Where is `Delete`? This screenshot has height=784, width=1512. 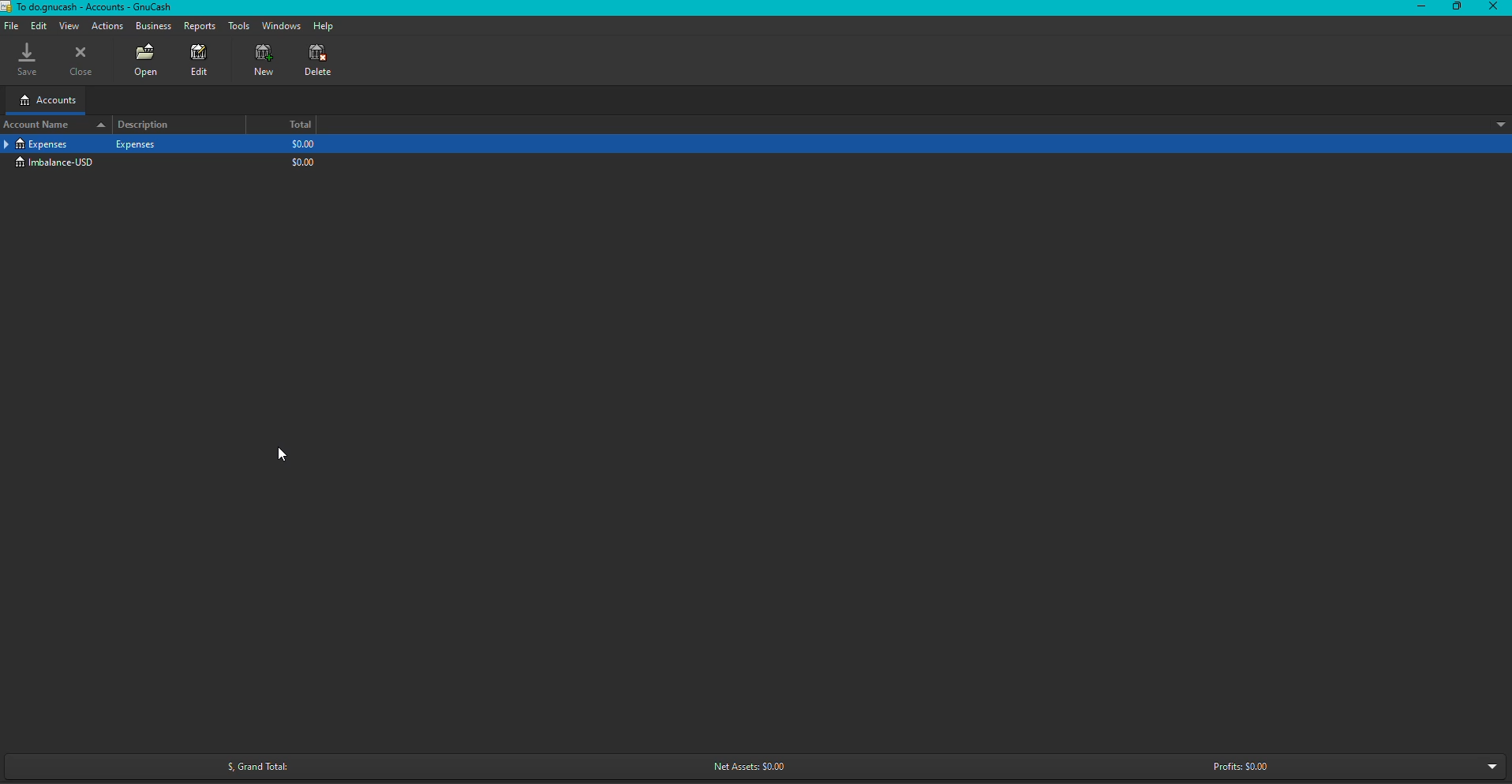 Delete is located at coordinates (310, 61).